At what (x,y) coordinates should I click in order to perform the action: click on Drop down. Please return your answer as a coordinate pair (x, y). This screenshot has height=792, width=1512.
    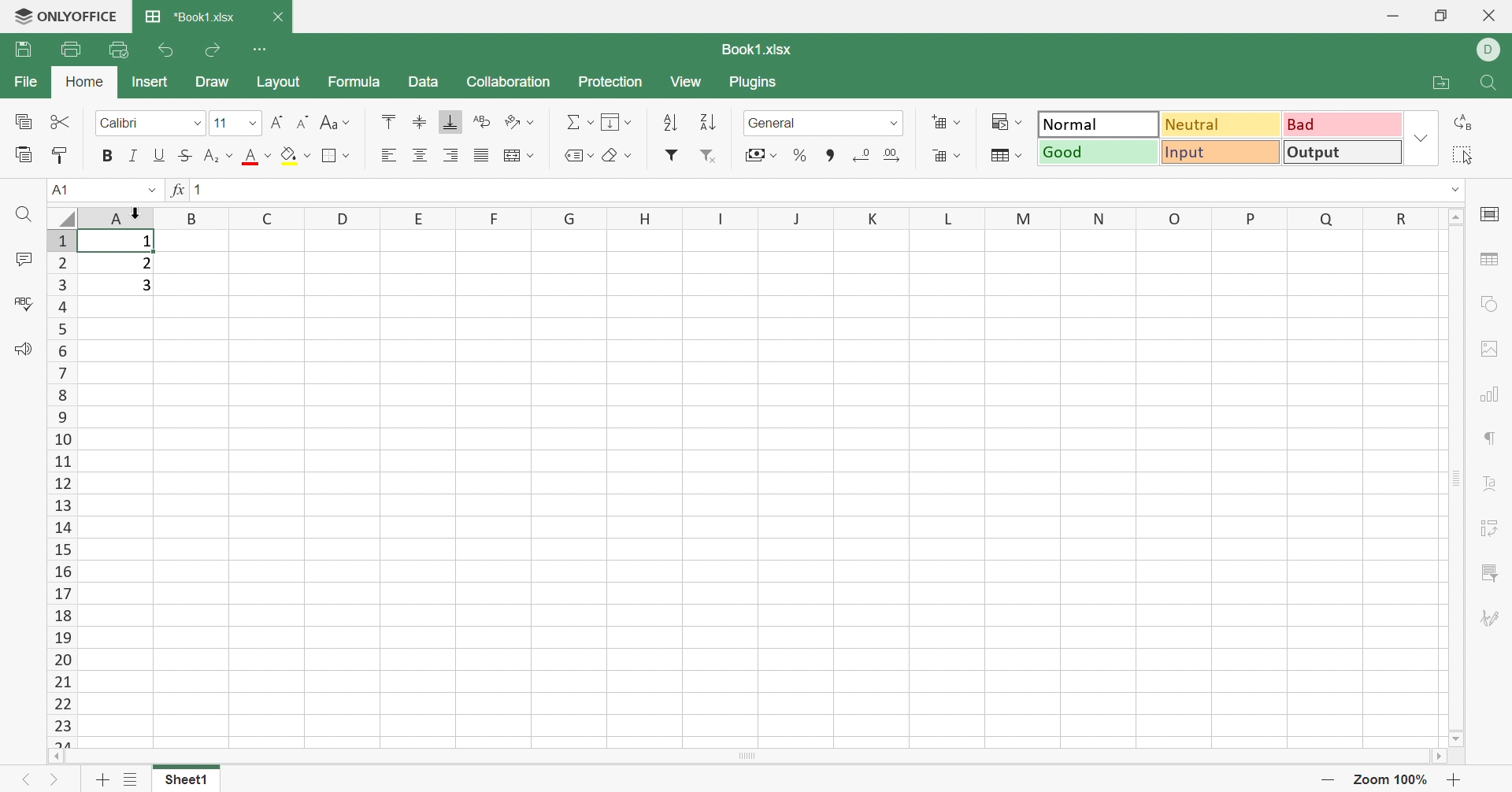
    Looking at the image, I should click on (1456, 191).